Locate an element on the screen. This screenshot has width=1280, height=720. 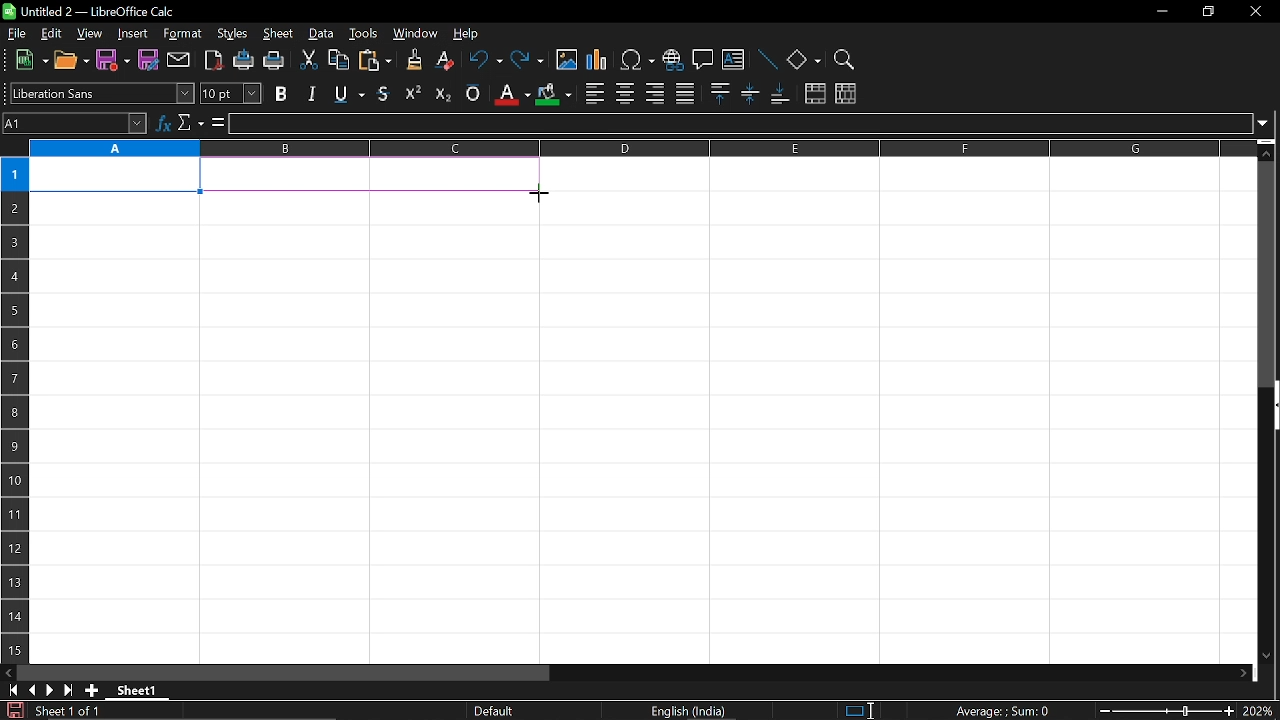
supercript is located at coordinates (413, 93).